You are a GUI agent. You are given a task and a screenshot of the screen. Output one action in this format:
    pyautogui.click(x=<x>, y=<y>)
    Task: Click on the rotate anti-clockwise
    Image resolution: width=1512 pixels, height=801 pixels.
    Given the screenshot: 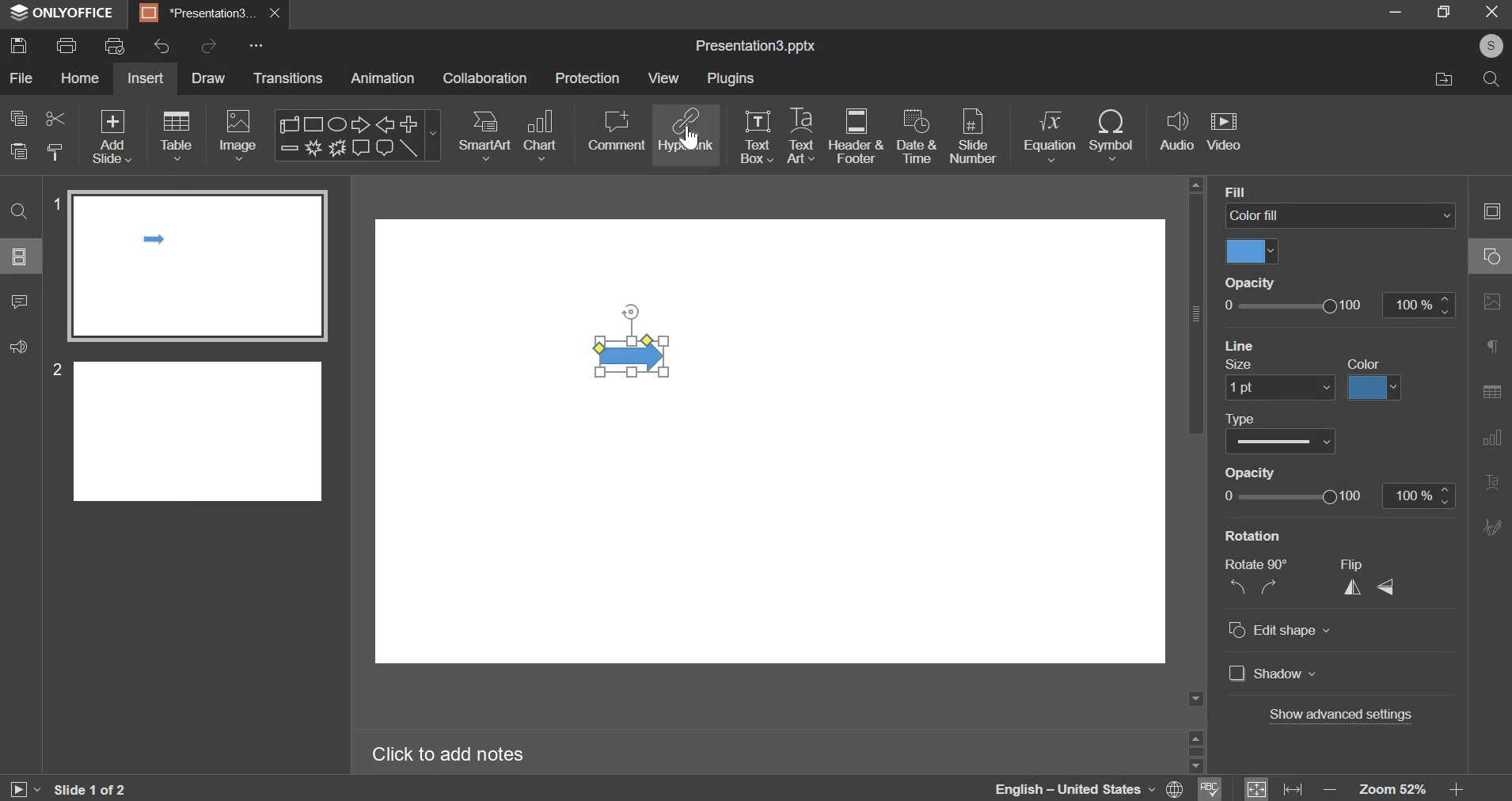 What is the action you would take?
    pyautogui.click(x=1237, y=586)
    